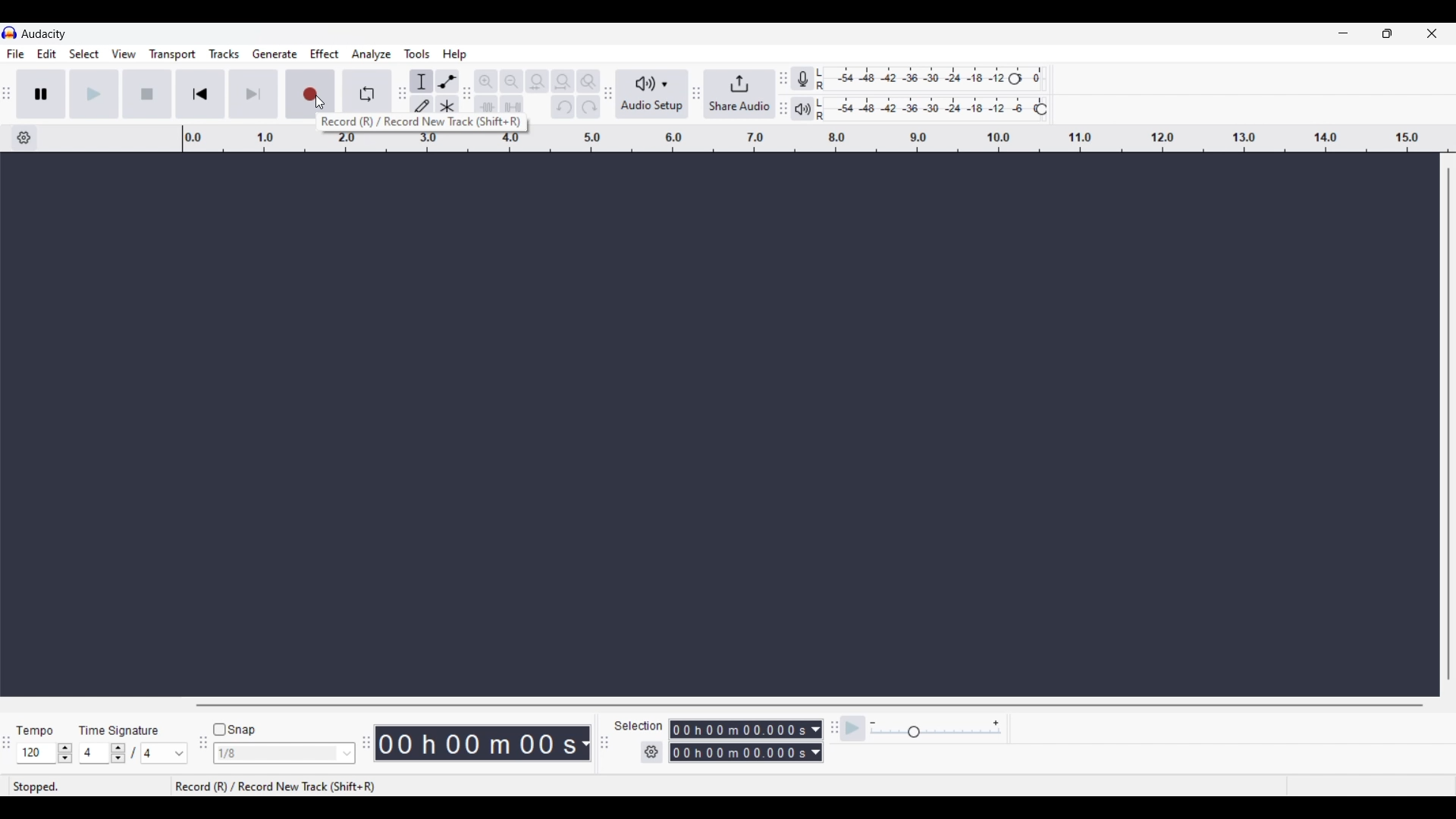 This screenshot has height=819, width=1456. I want to click on Description of selected icon, so click(274, 786).